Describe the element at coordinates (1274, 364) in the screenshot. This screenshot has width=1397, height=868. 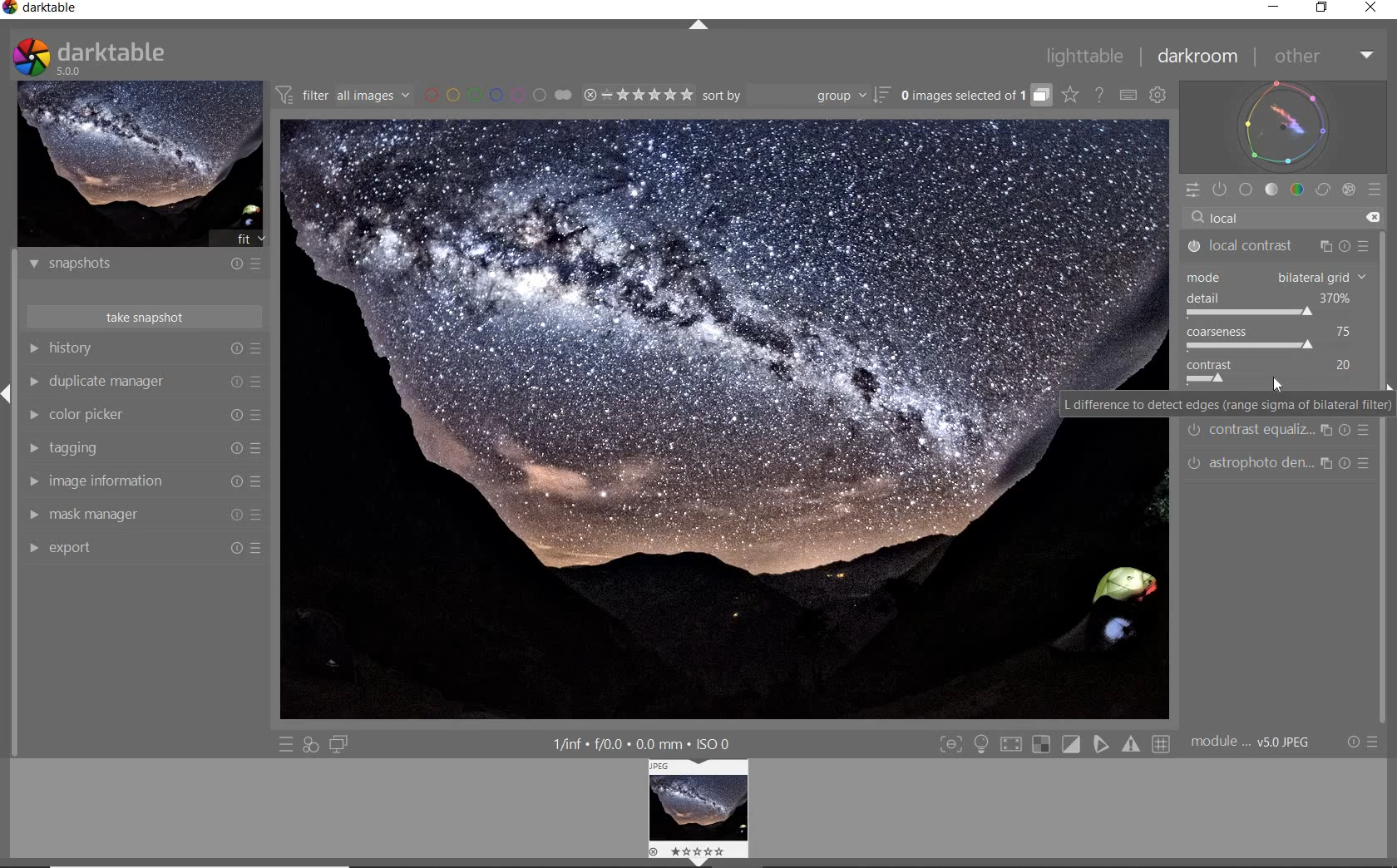
I see `contrast: 20` at that location.